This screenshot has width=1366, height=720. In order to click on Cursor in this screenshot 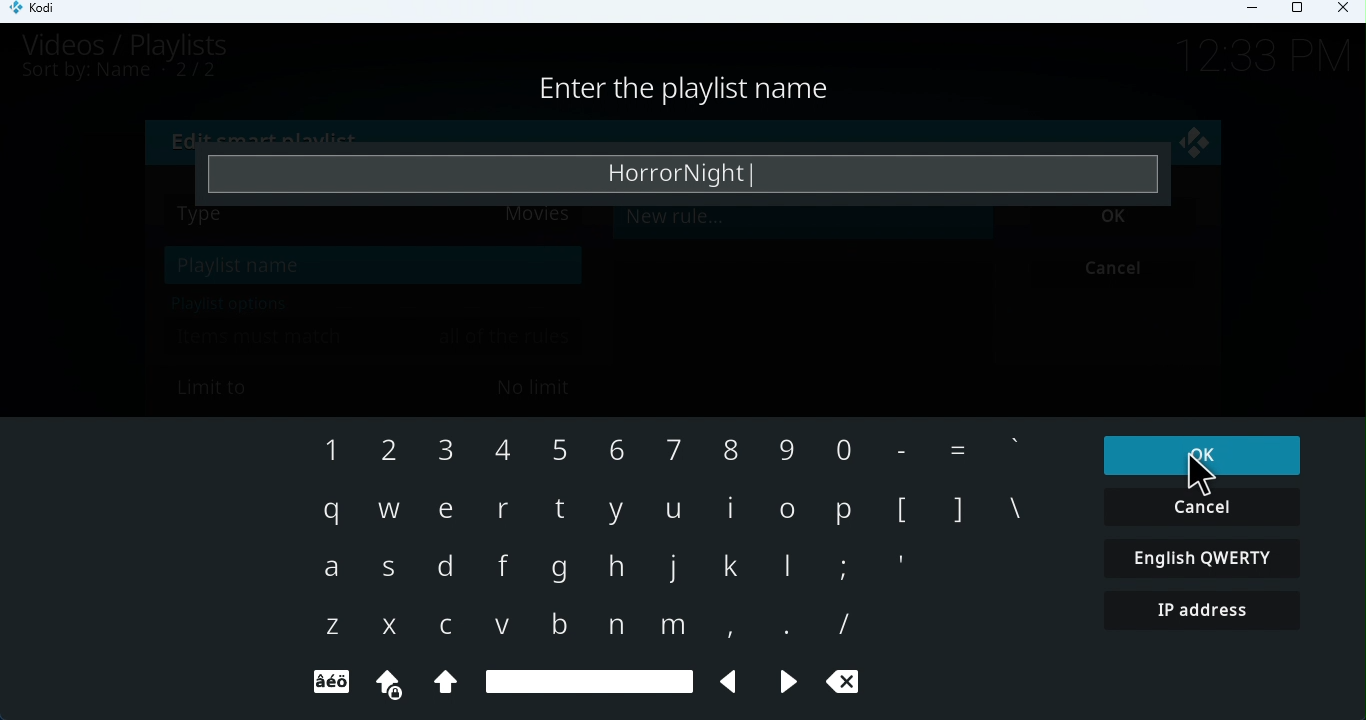, I will do `click(1200, 474)`.